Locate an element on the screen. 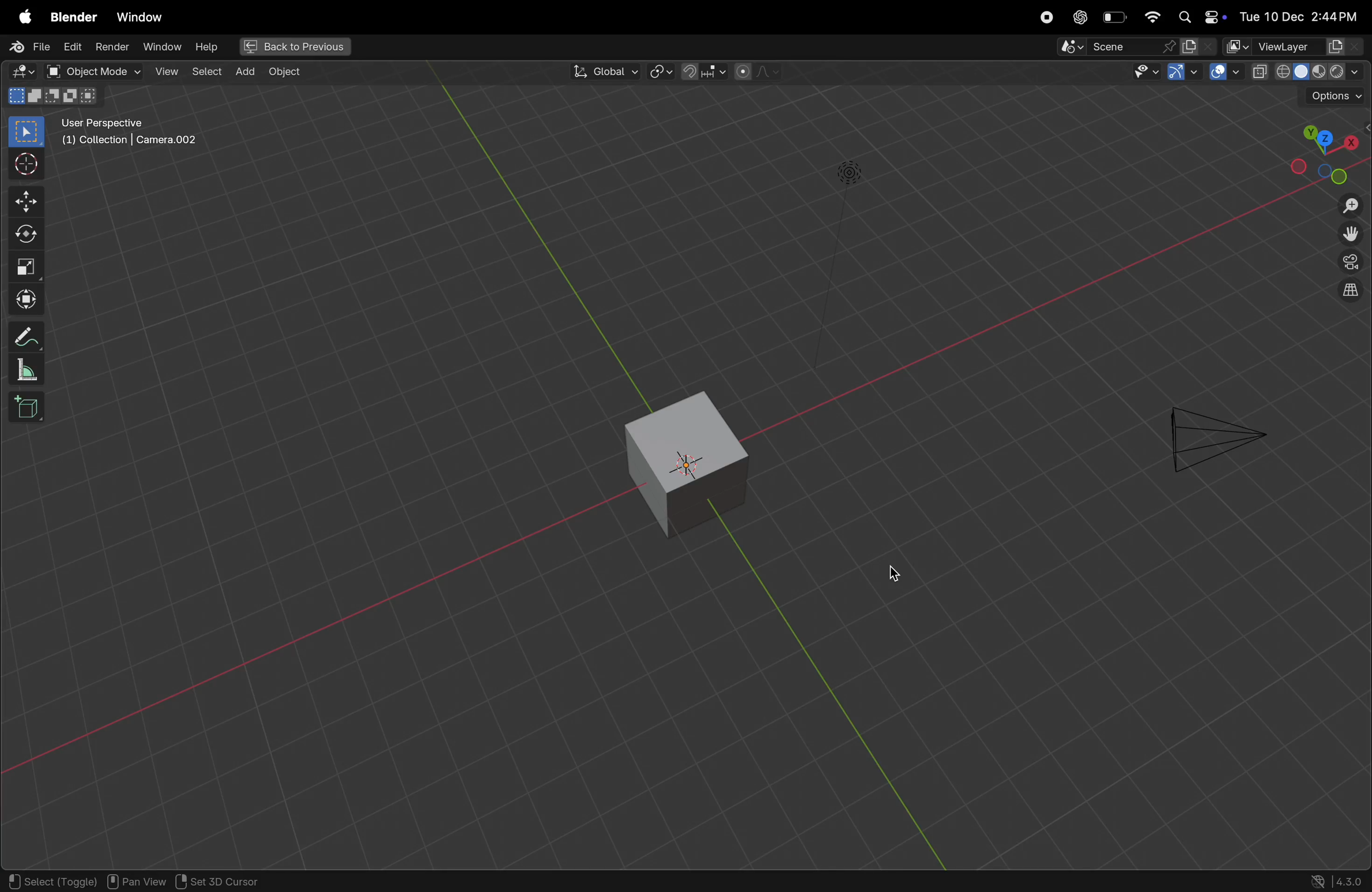 The height and width of the screenshot is (892, 1372). options is located at coordinates (1335, 99).